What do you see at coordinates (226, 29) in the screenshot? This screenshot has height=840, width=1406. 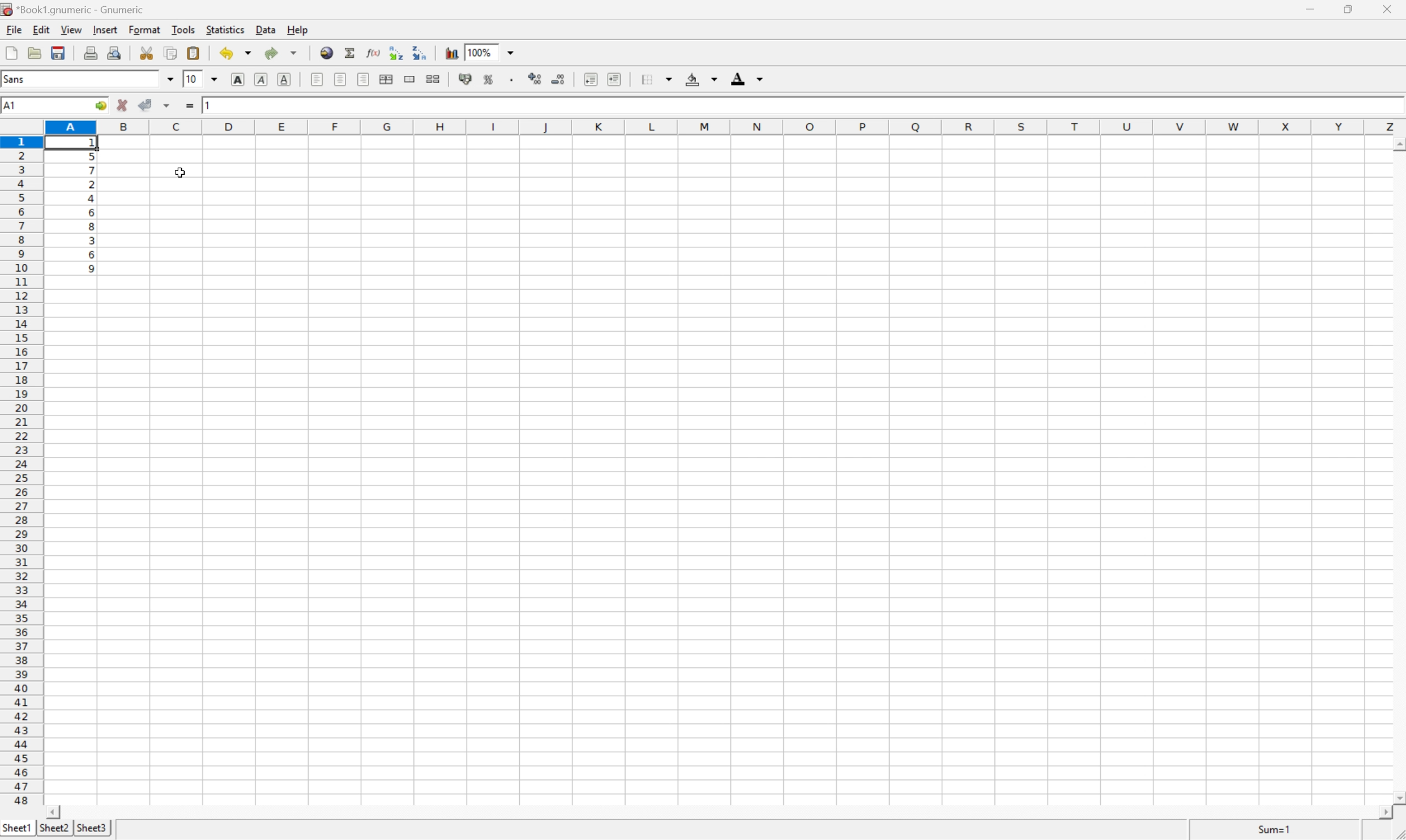 I see `statistics` at bounding box center [226, 29].